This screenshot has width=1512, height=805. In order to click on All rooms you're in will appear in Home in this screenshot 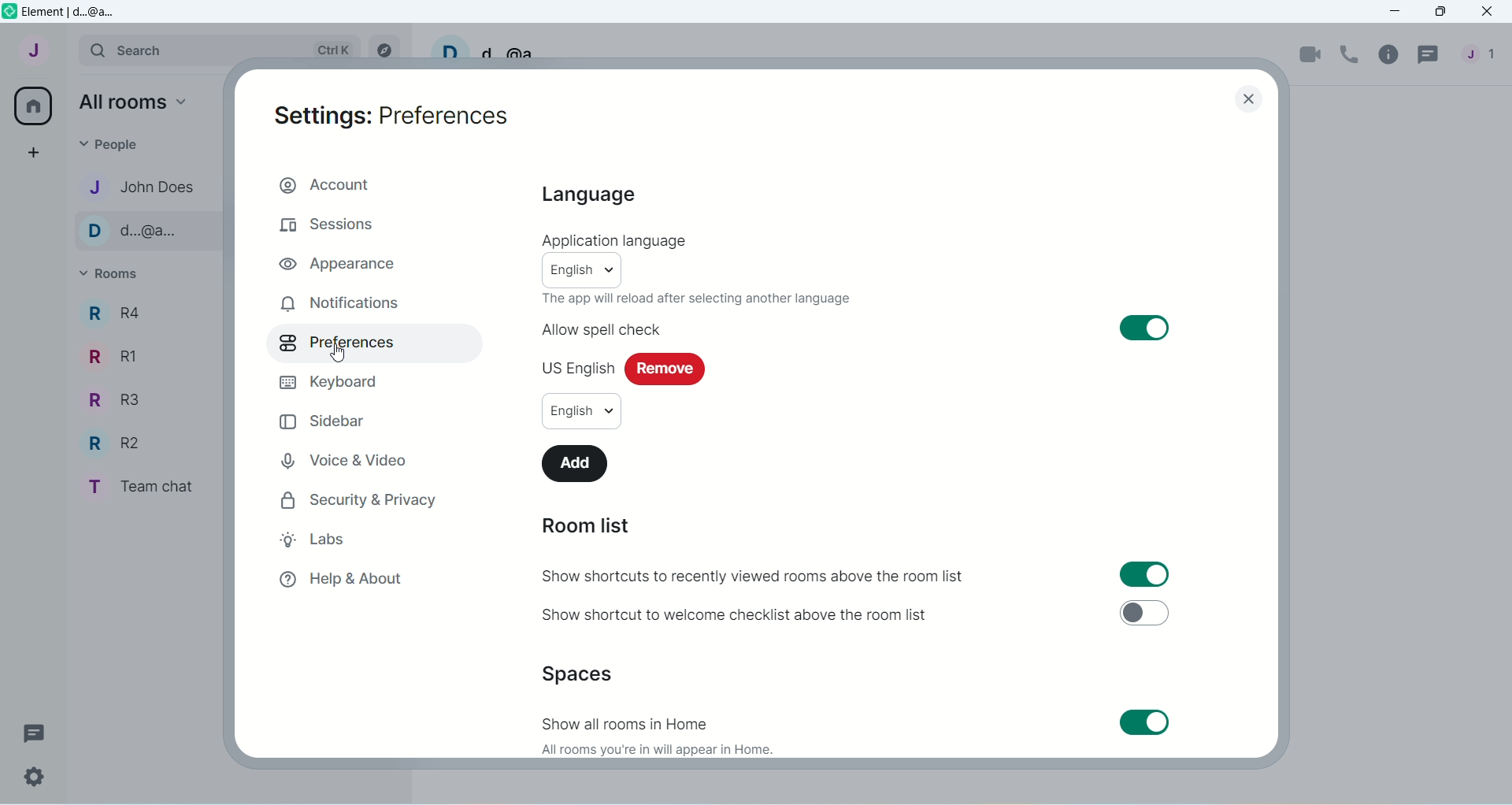, I will do `click(656, 749)`.